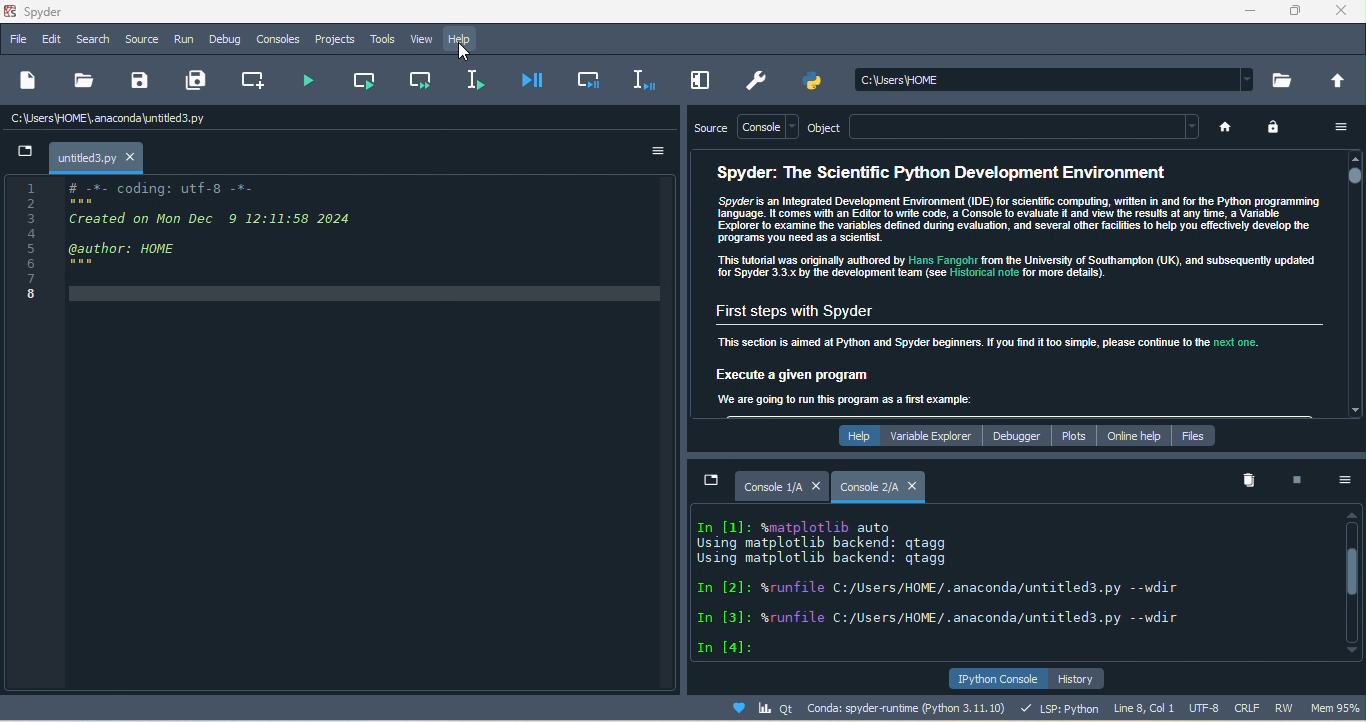  What do you see at coordinates (586, 81) in the screenshot?
I see `debug cell` at bounding box center [586, 81].